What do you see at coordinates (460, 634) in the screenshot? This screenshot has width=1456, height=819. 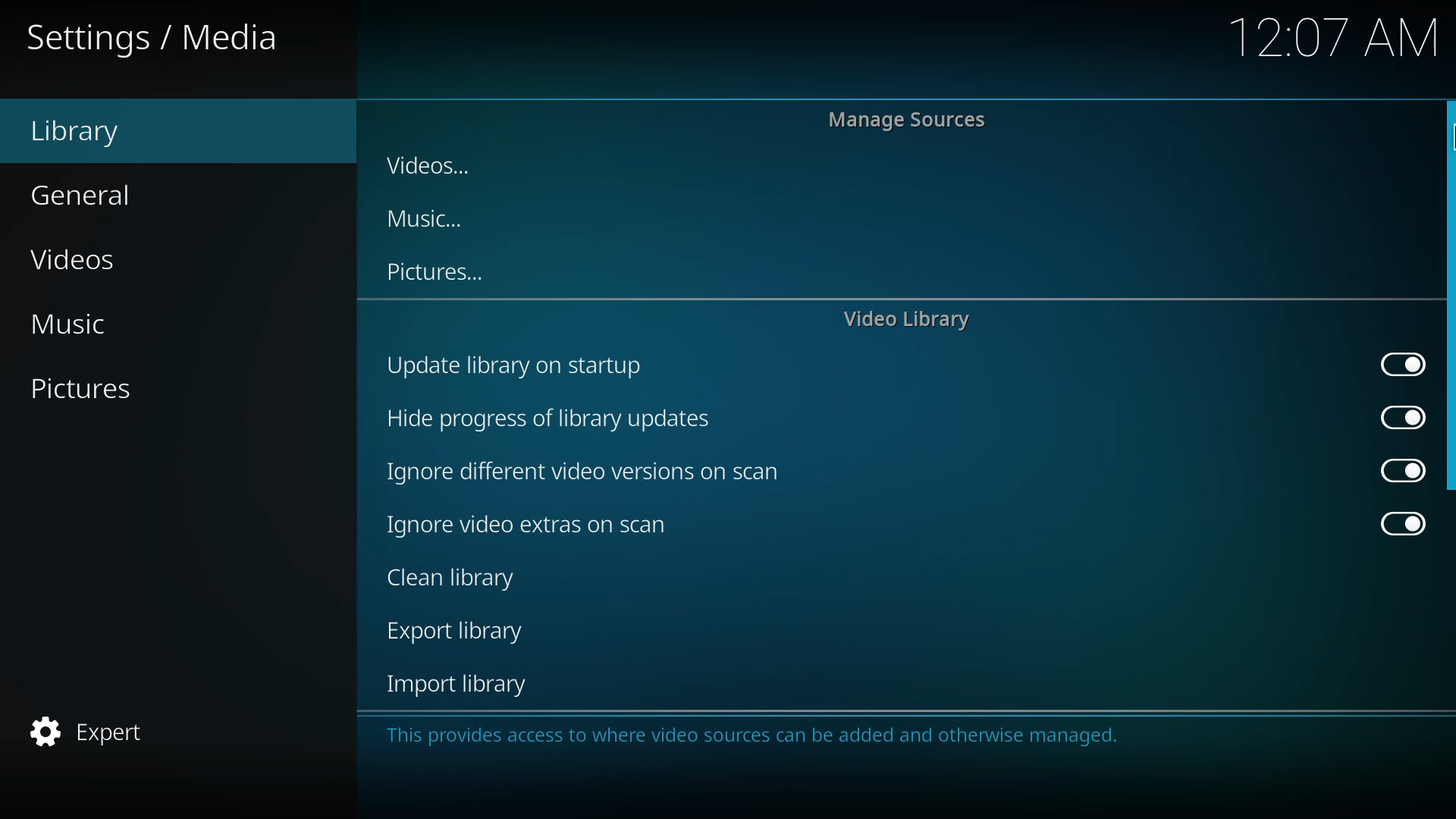 I see `import` at bounding box center [460, 634].